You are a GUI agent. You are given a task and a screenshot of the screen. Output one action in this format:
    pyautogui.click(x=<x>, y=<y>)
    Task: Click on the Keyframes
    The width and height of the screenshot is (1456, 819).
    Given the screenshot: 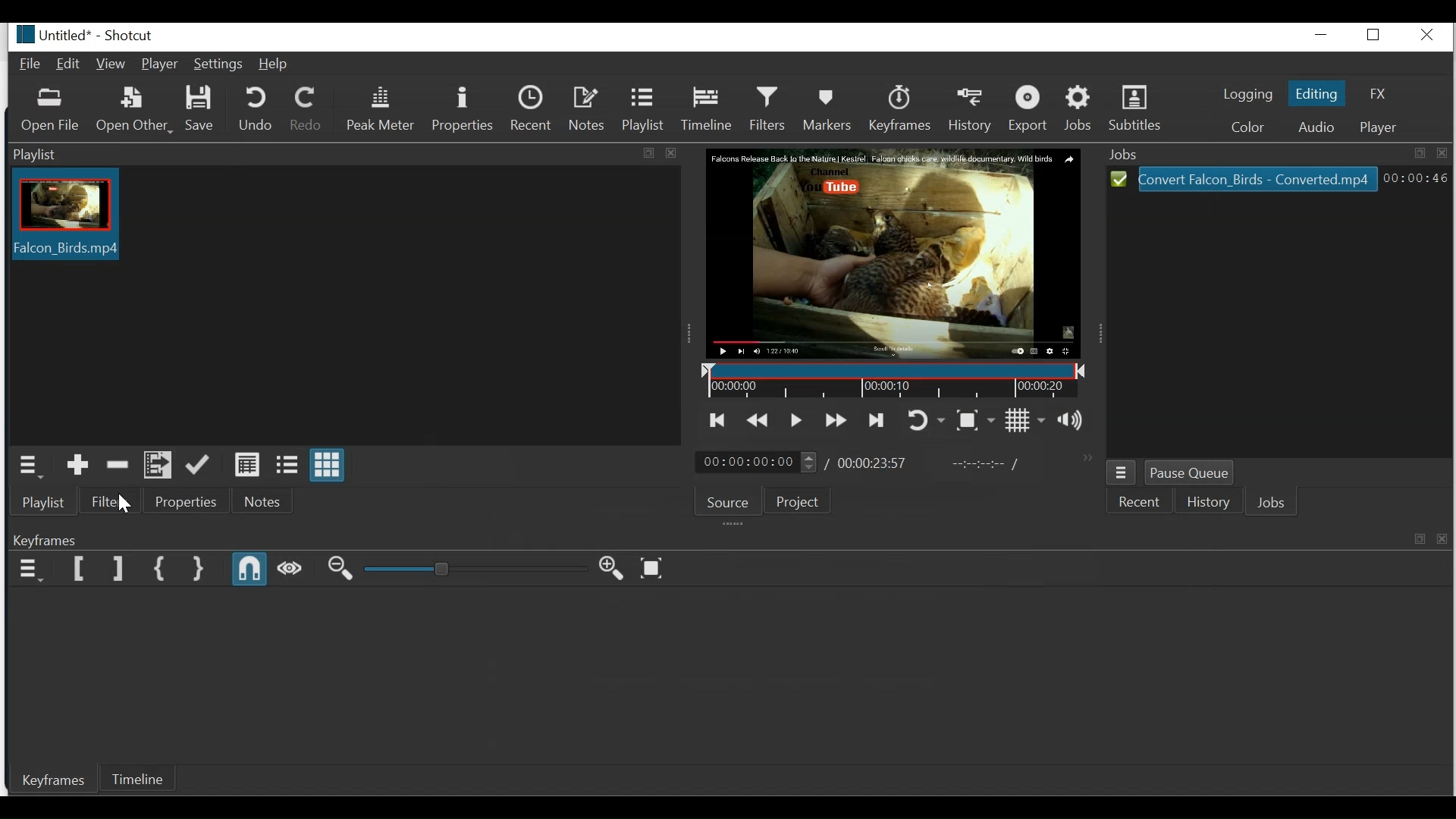 What is the action you would take?
    pyautogui.click(x=900, y=108)
    